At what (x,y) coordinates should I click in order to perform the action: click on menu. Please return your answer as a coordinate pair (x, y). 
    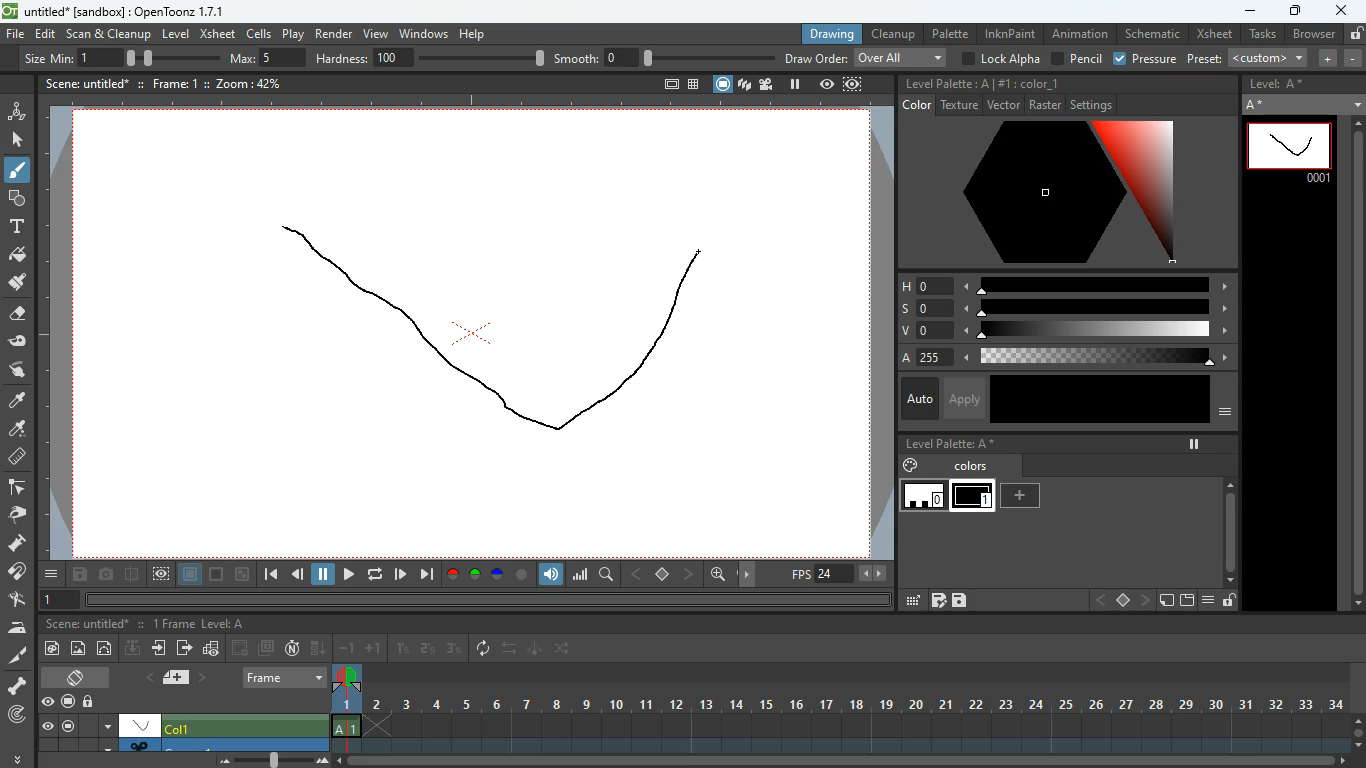
    Looking at the image, I should click on (53, 574).